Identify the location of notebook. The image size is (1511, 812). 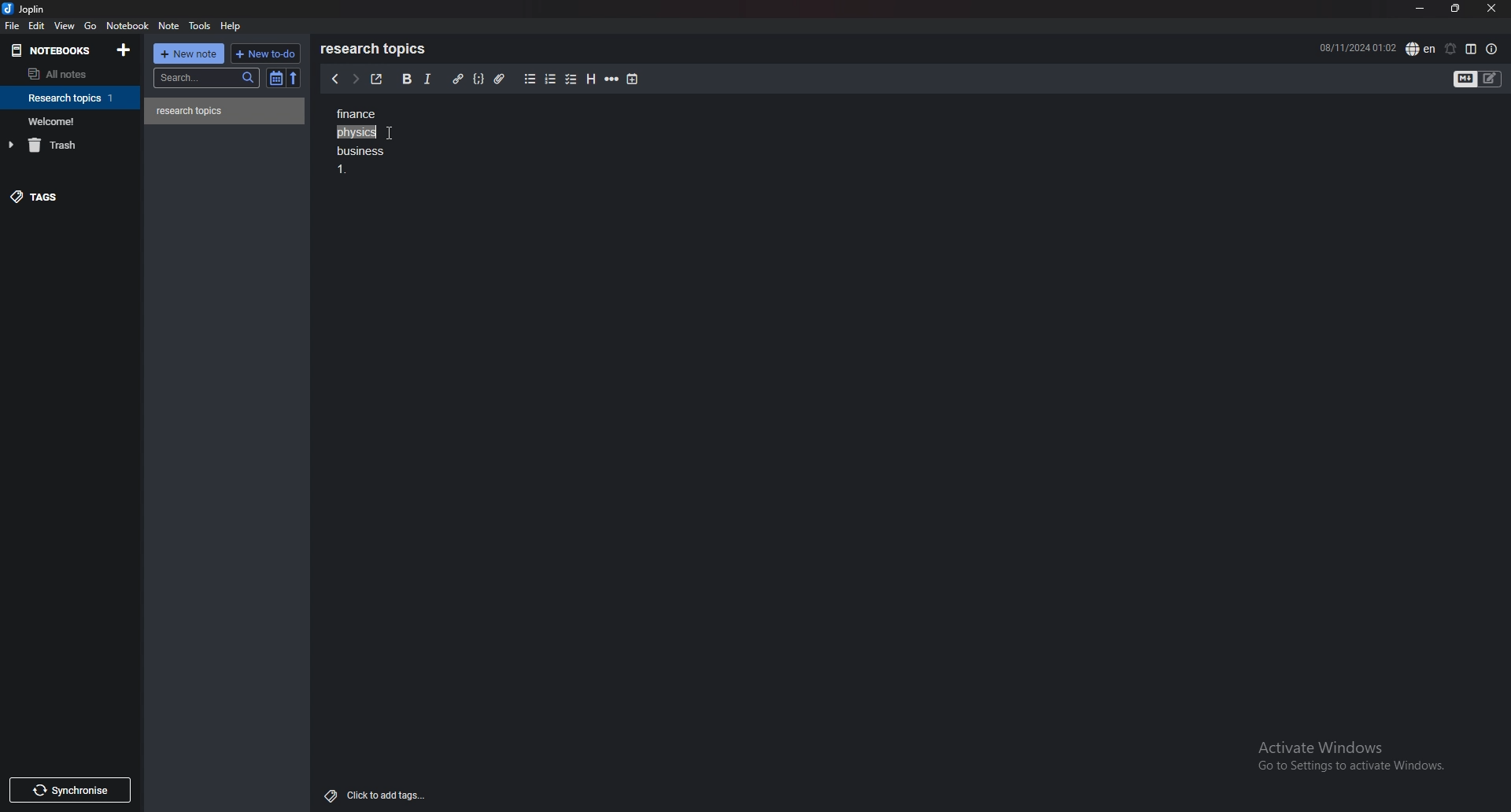
(72, 120).